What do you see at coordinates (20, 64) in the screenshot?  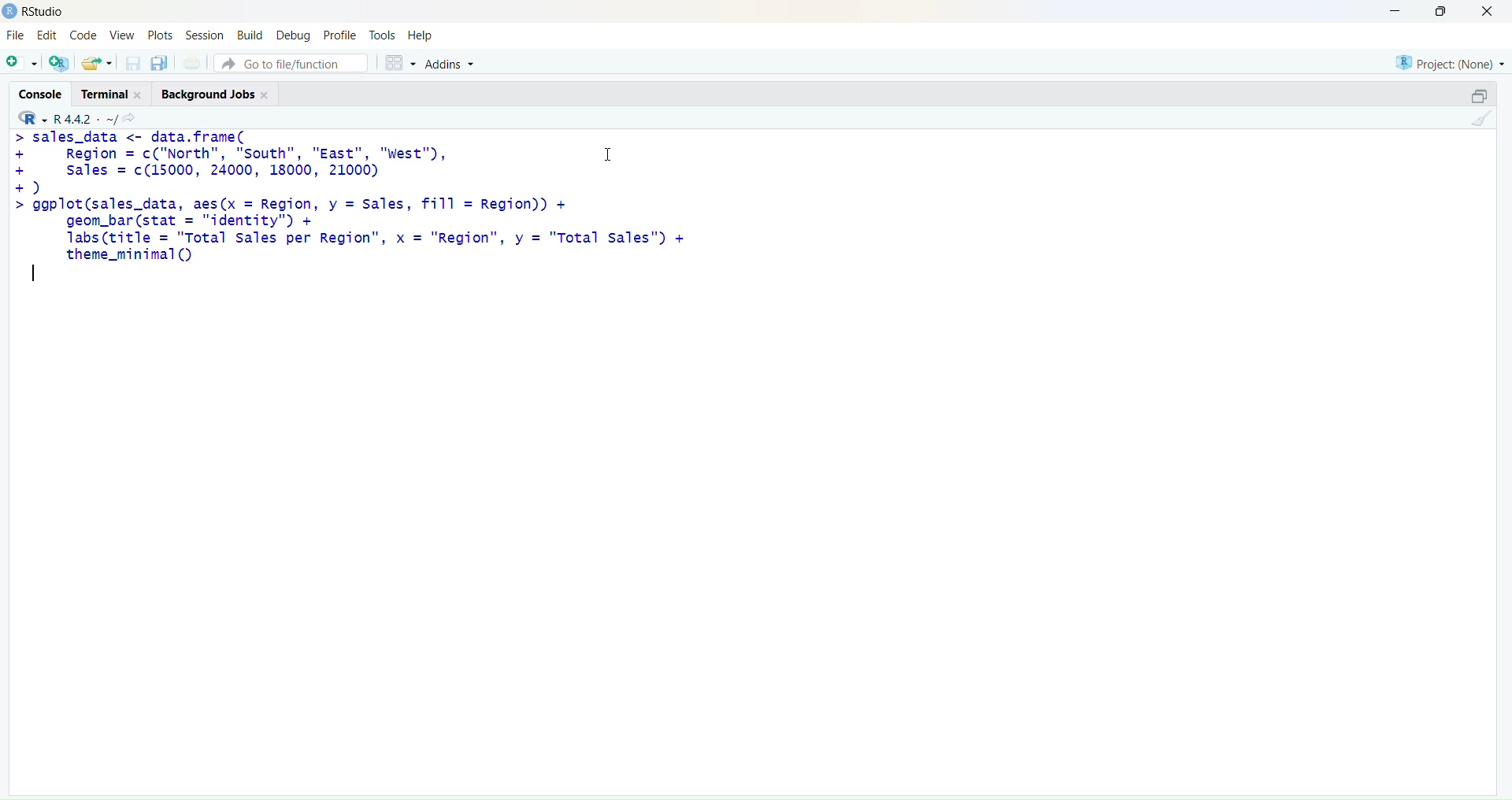 I see `add script` at bounding box center [20, 64].